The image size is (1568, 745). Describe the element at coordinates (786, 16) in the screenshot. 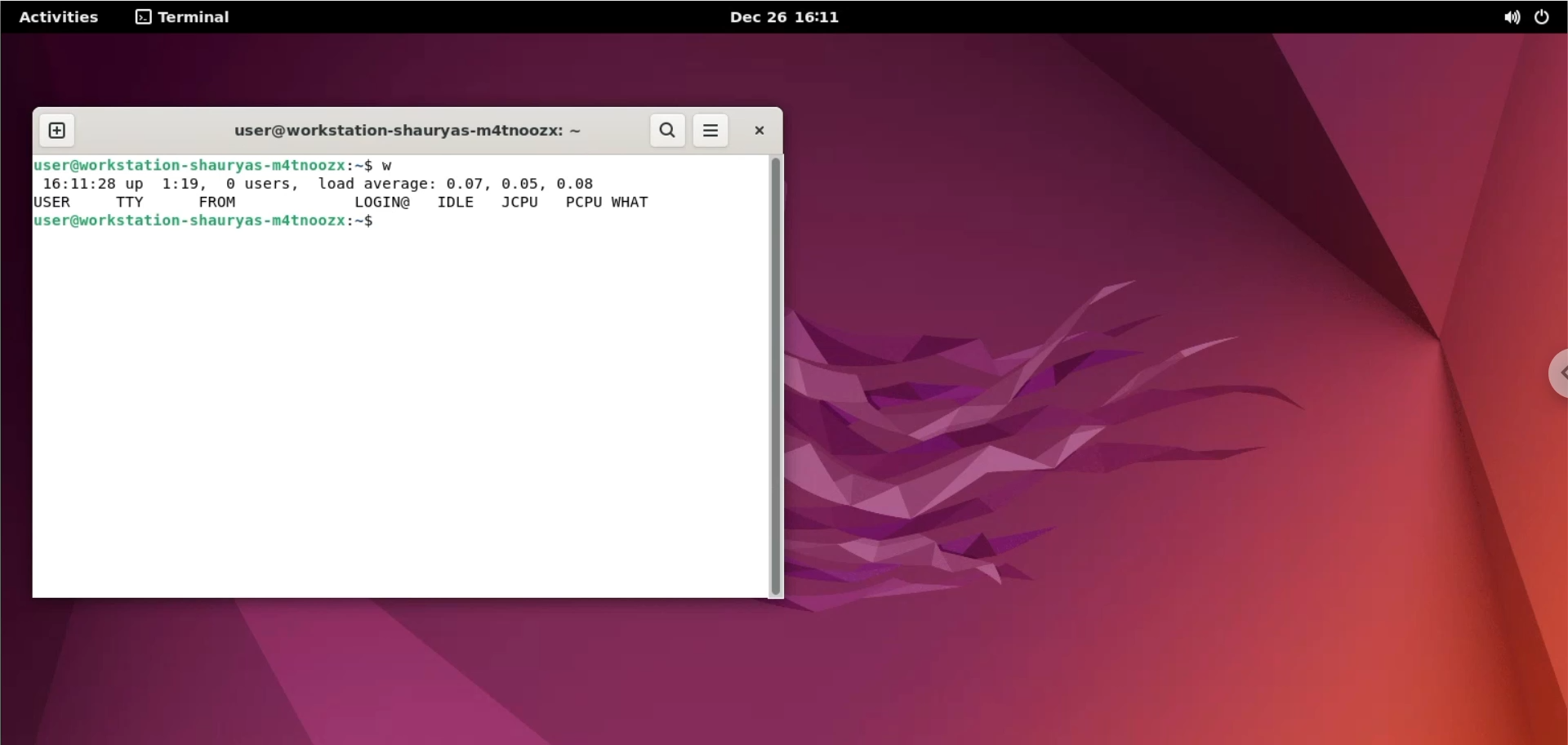

I see `date and time` at that location.